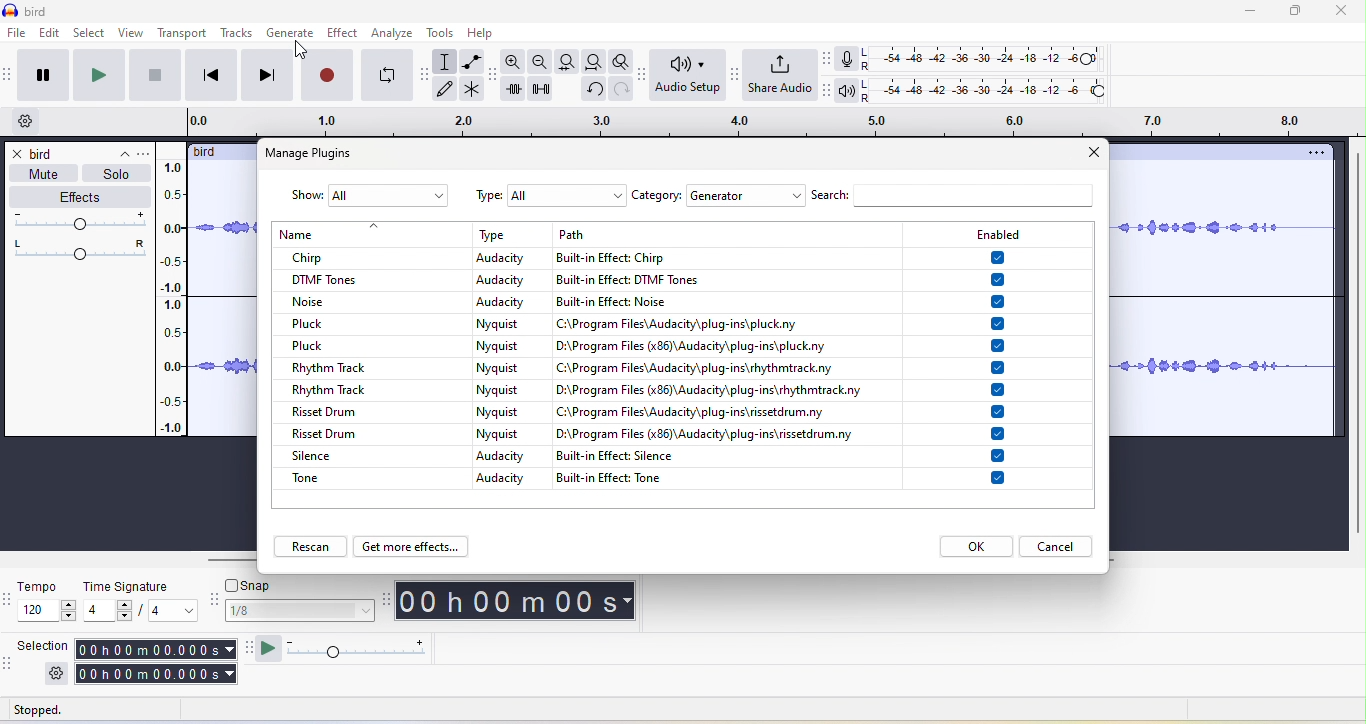 The width and height of the screenshot is (1366, 724). Describe the element at coordinates (359, 256) in the screenshot. I see `chirp` at that location.